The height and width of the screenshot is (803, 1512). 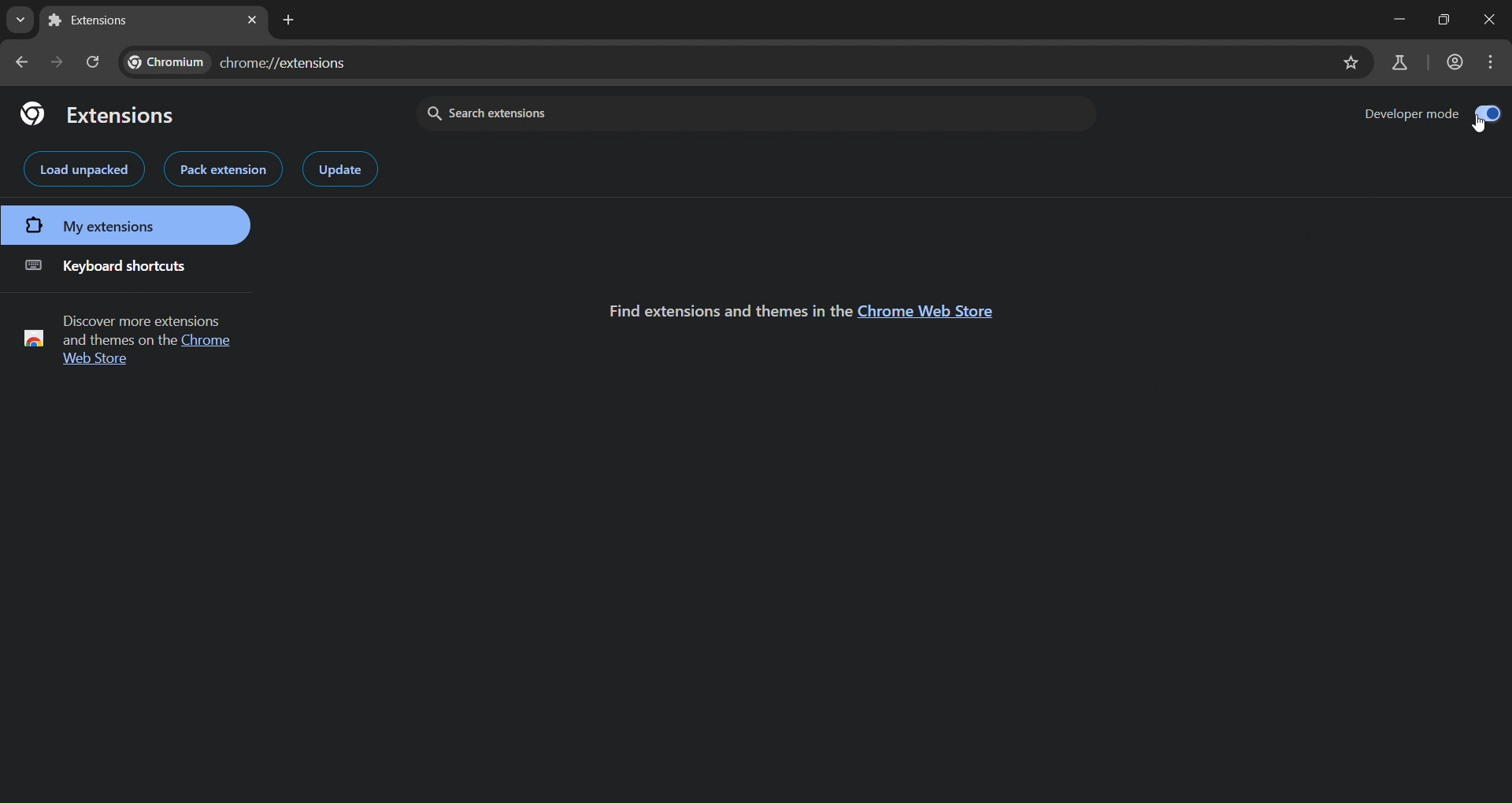 What do you see at coordinates (94, 61) in the screenshot?
I see `reload page` at bounding box center [94, 61].